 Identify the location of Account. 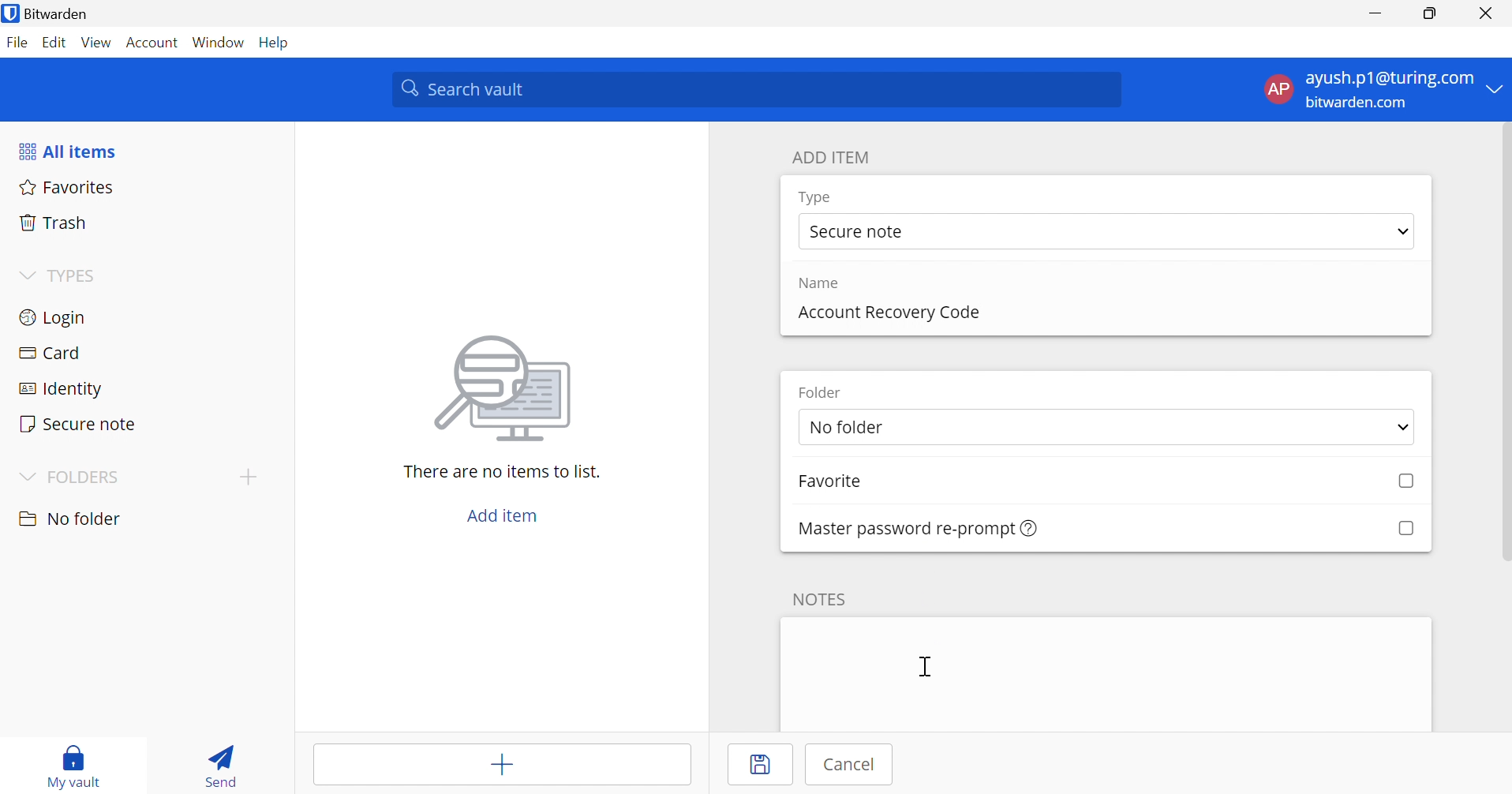
(152, 43).